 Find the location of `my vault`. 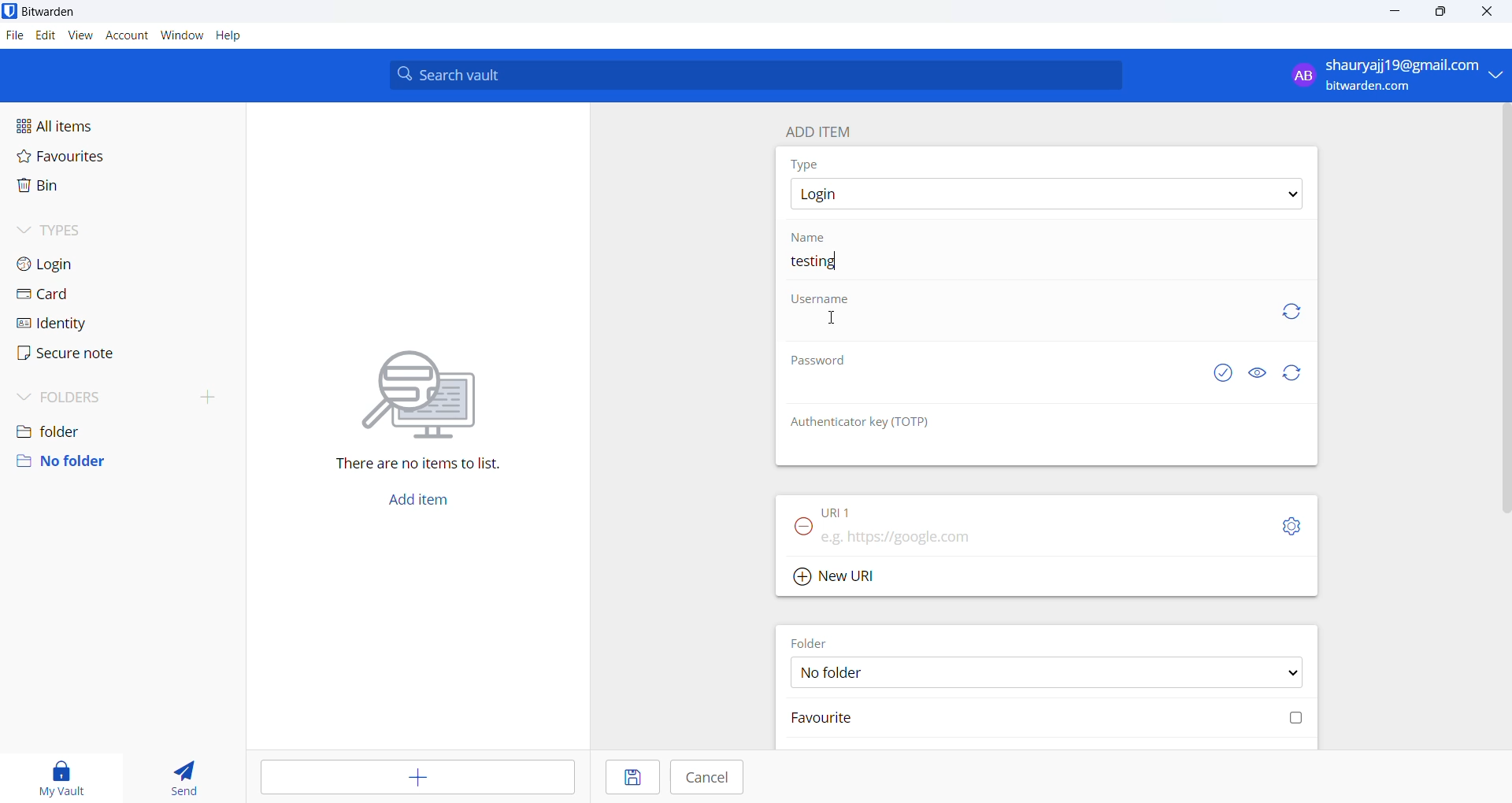

my vault is located at coordinates (62, 774).